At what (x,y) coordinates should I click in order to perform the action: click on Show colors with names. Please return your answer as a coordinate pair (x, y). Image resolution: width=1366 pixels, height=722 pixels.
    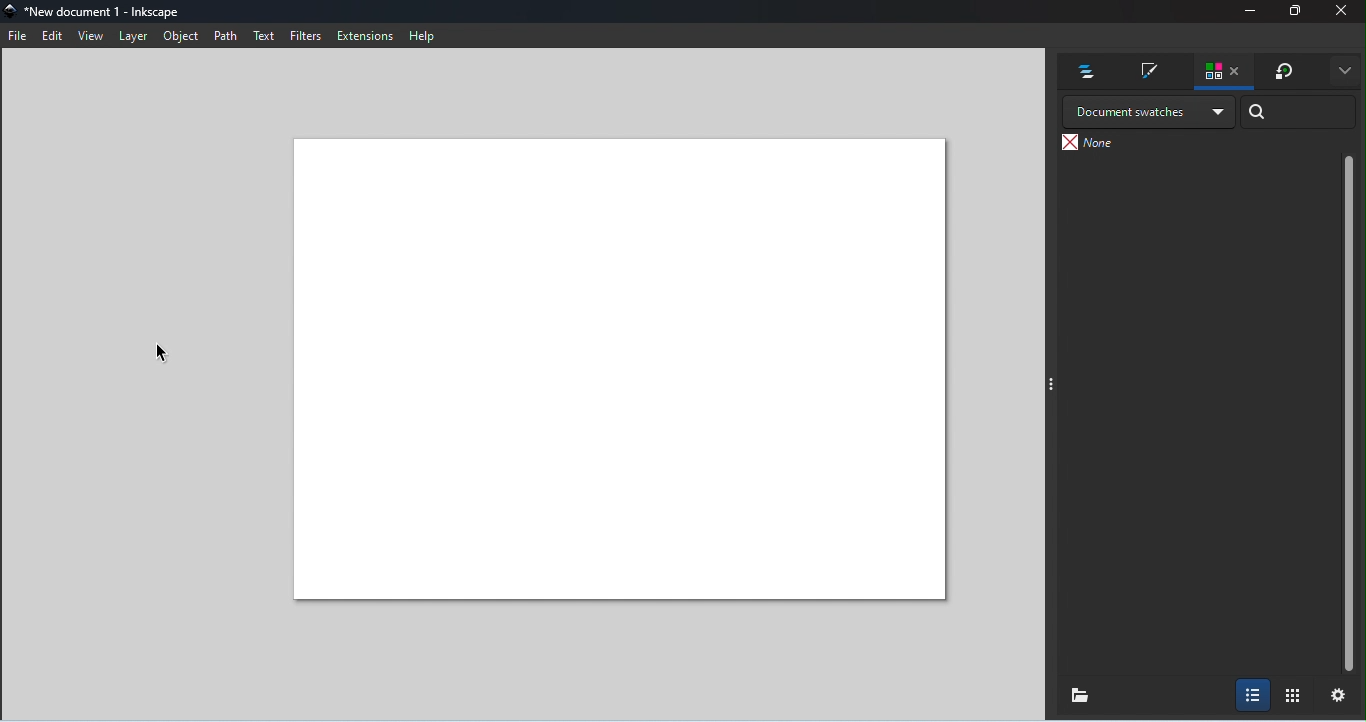
    Looking at the image, I should click on (1252, 695).